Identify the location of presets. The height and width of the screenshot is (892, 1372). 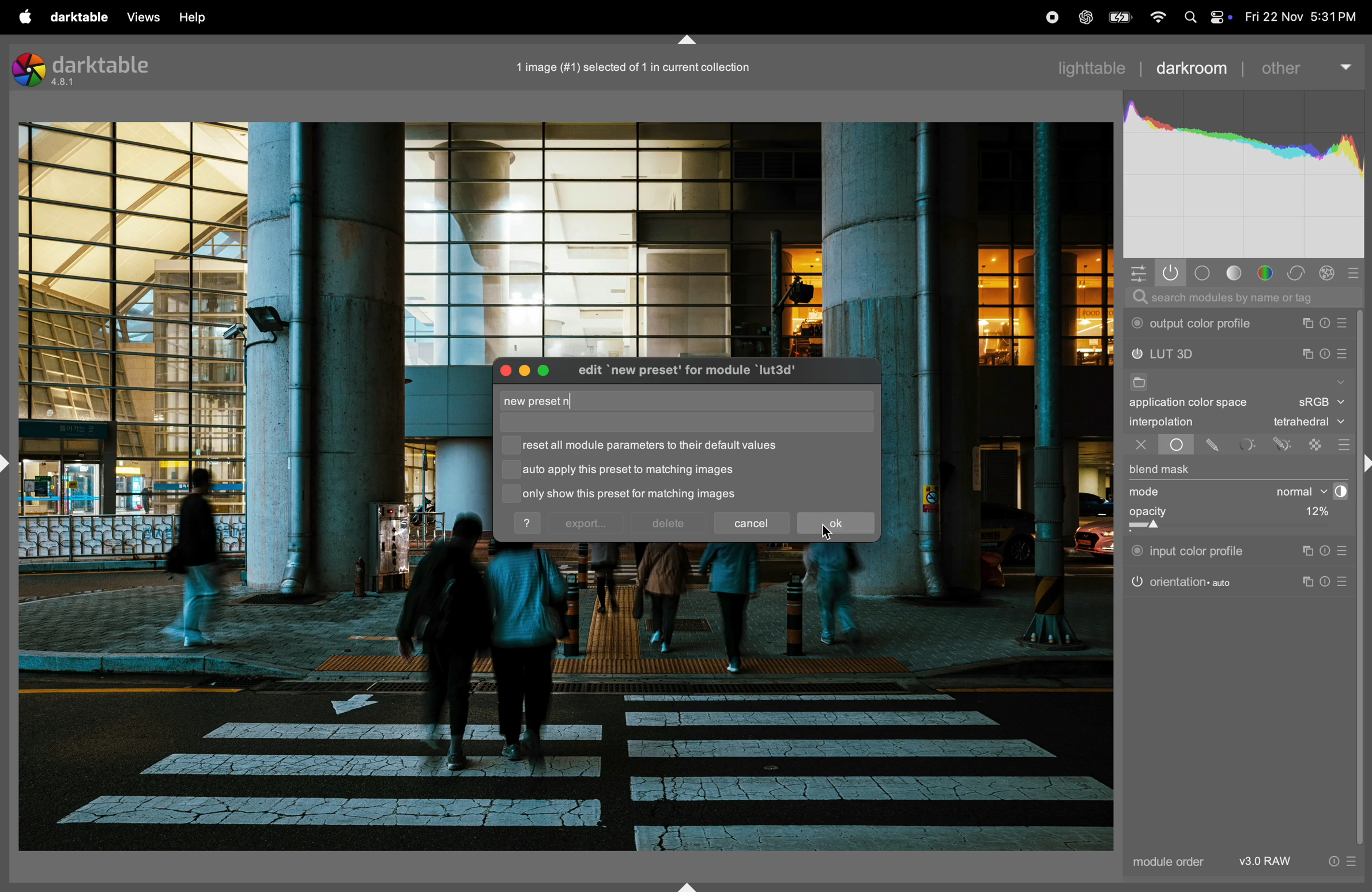
(1343, 444).